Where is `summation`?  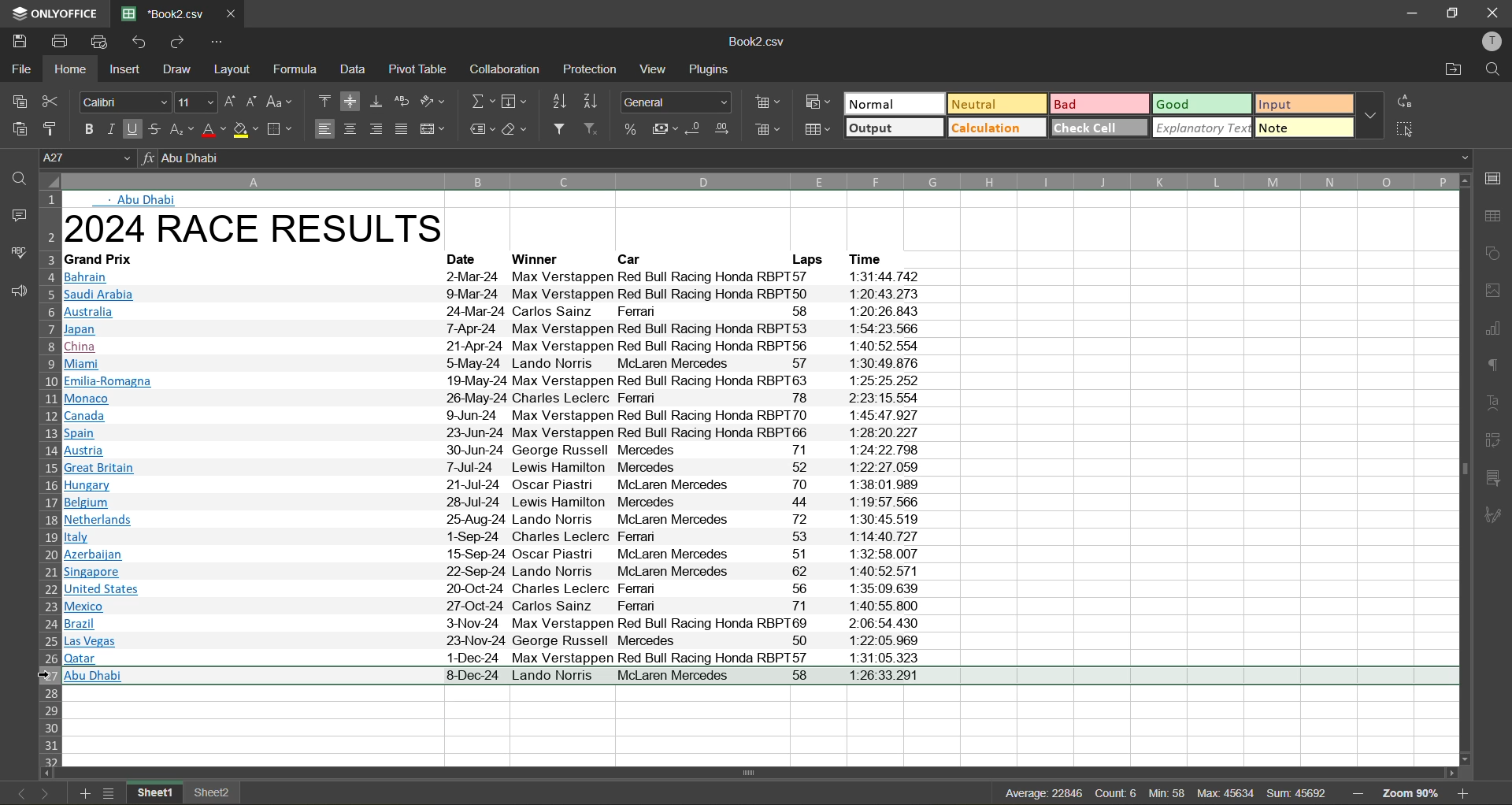
summation is located at coordinates (482, 101).